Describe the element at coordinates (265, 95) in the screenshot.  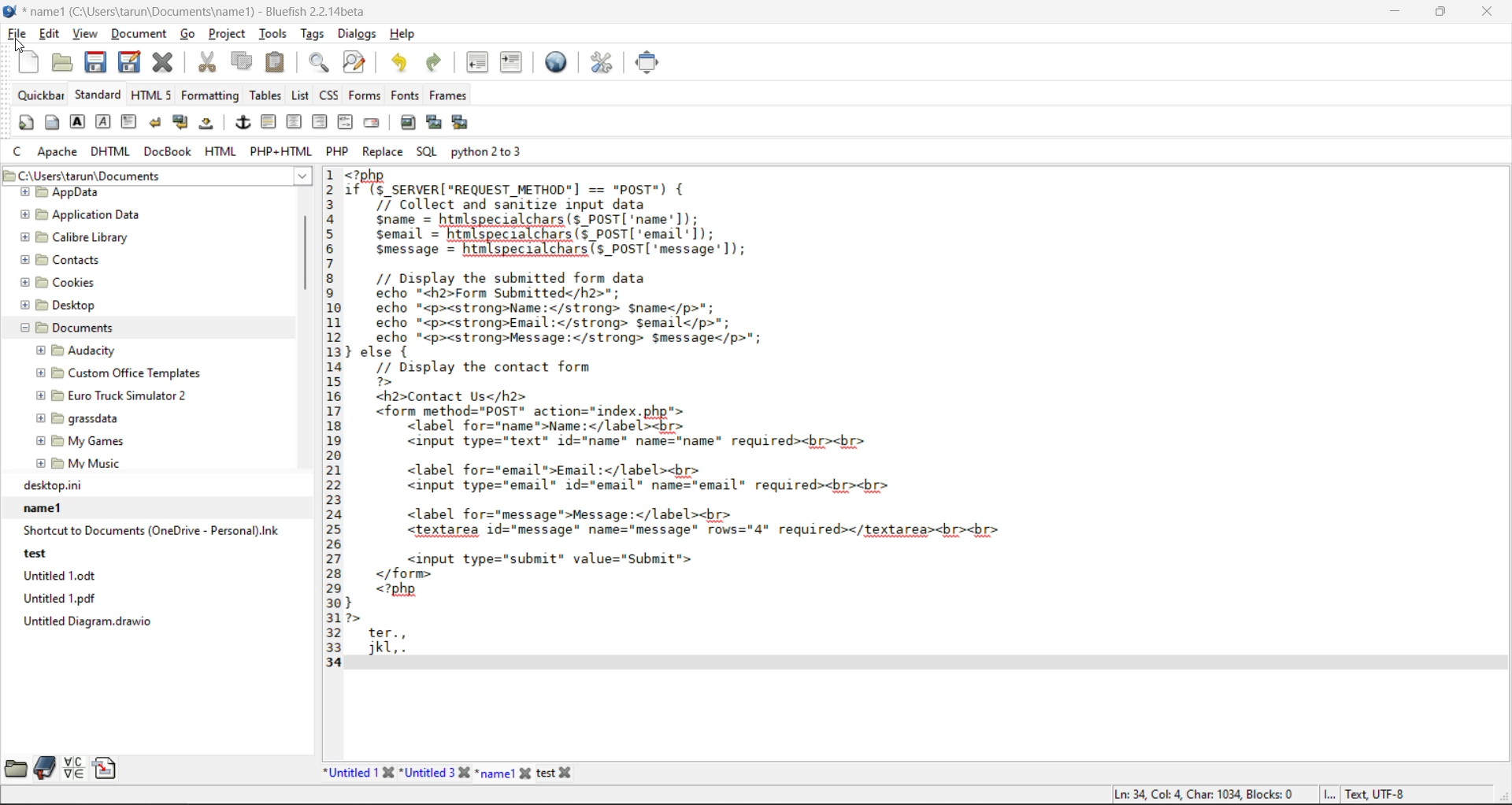
I see `tables` at that location.